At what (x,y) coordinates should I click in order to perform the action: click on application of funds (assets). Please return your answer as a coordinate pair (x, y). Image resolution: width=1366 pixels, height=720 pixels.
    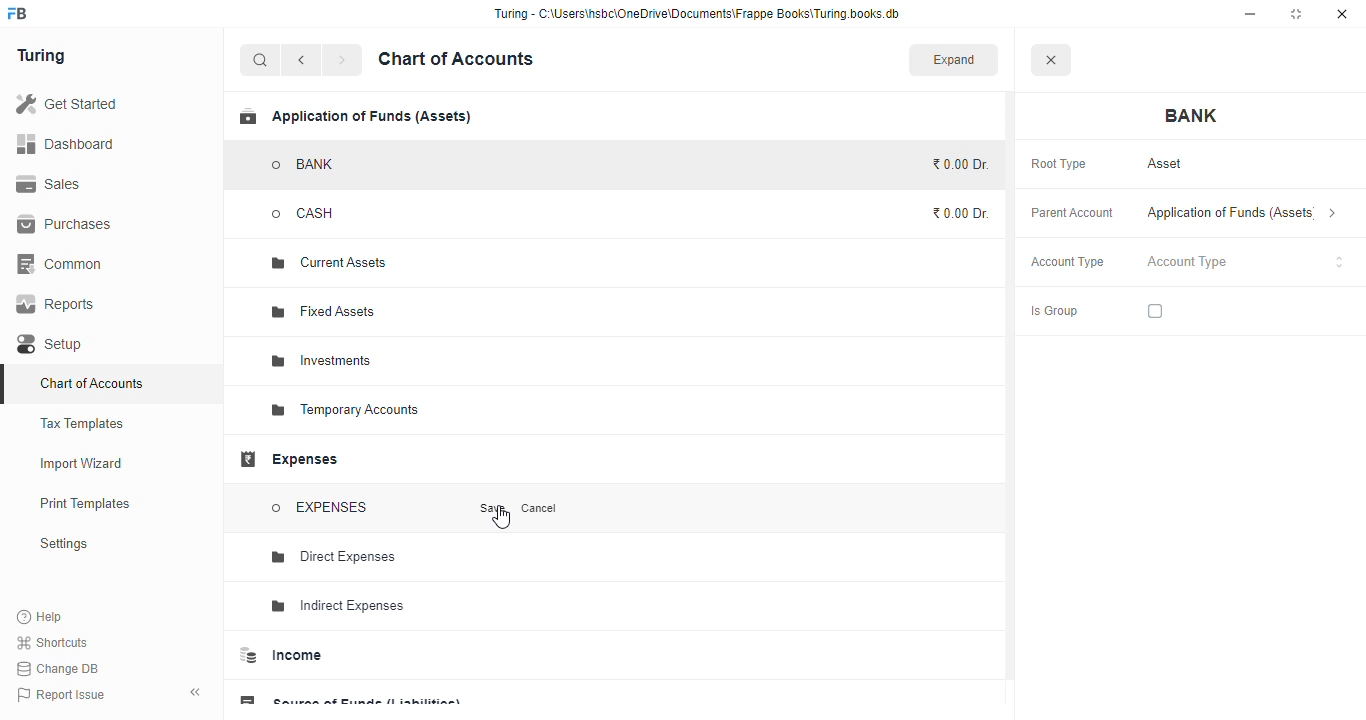
    Looking at the image, I should click on (1242, 213).